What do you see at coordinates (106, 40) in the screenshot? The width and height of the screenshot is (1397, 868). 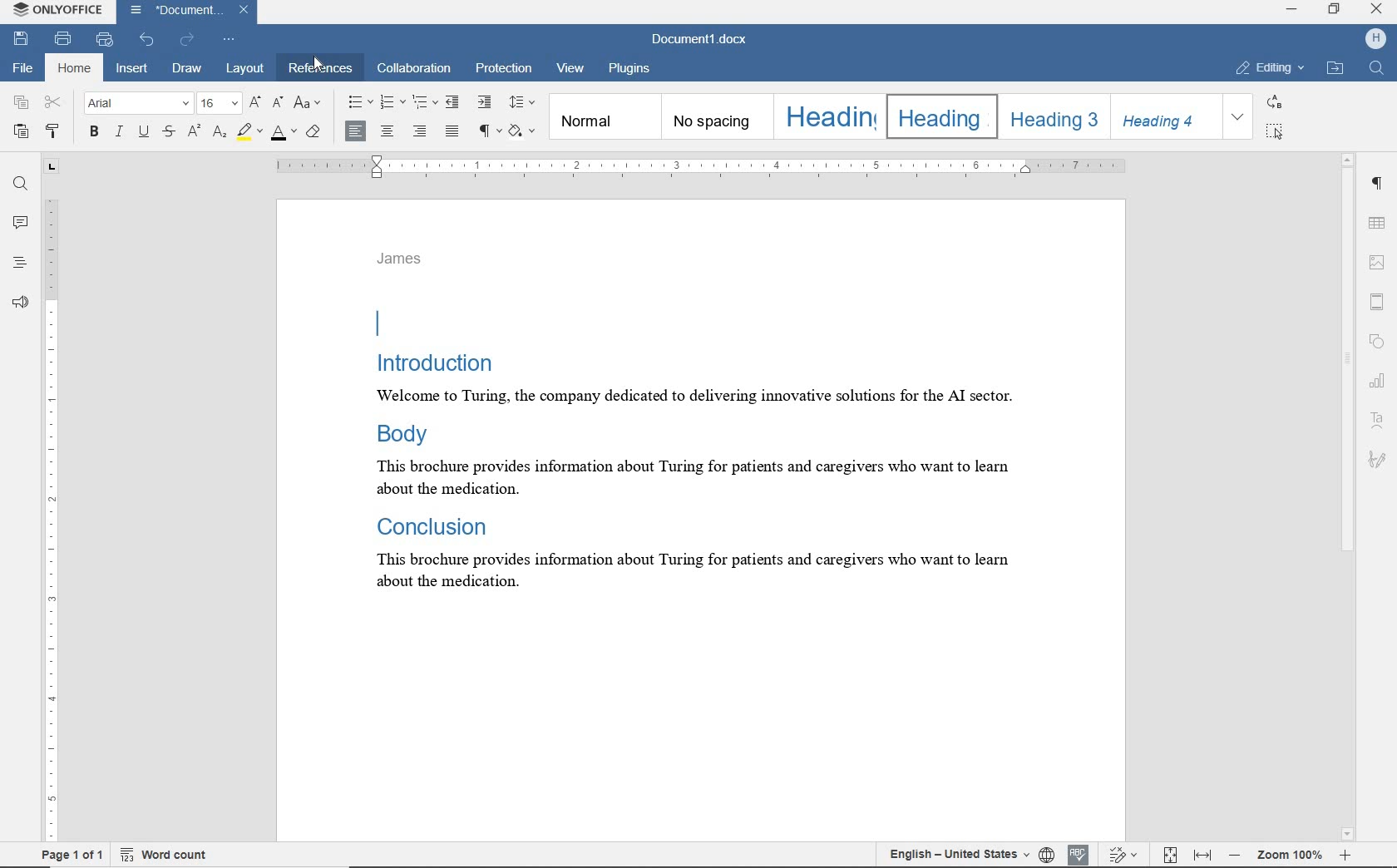 I see `quick print` at bounding box center [106, 40].